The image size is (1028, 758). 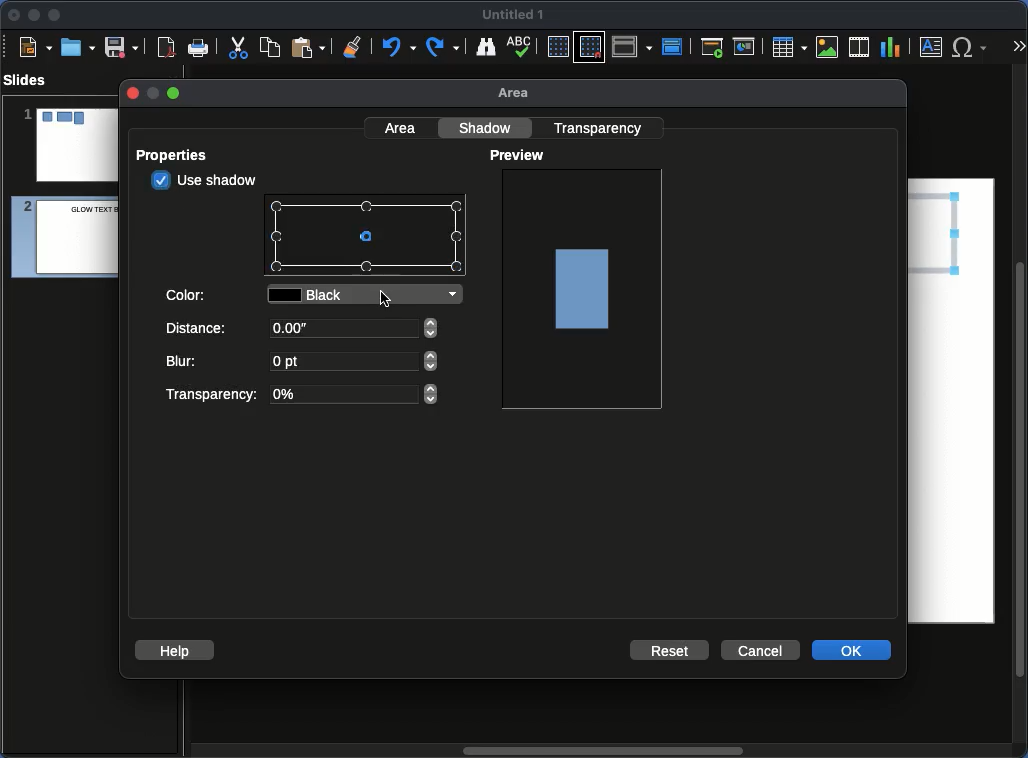 What do you see at coordinates (175, 649) in the screenshot?
I see `Help` at bounding box center [175, 649].